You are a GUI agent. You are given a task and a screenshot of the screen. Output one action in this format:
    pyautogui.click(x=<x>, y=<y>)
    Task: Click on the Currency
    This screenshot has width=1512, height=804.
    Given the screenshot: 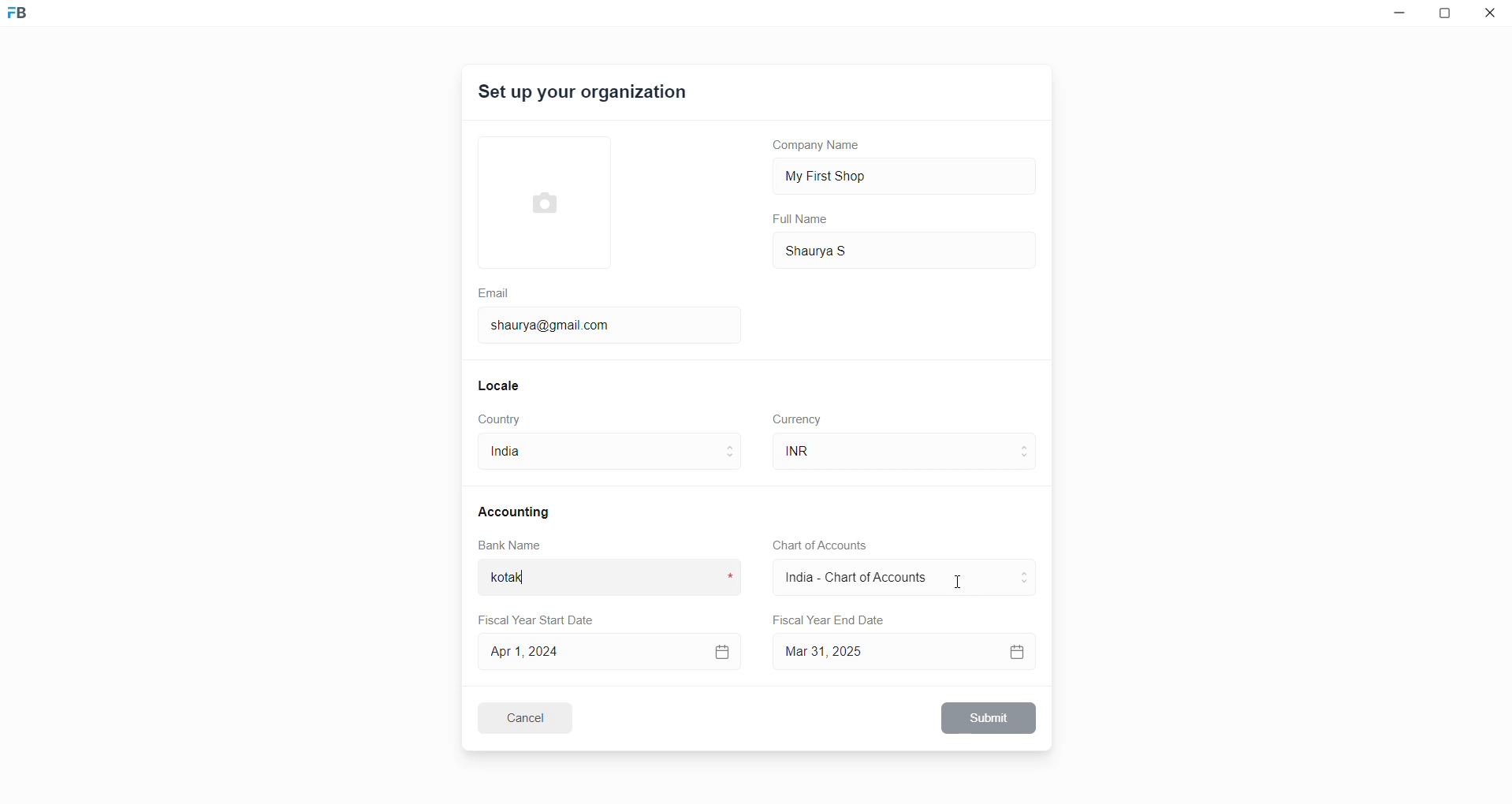 What is the action you would take?
    pyautogui.click(x=799, y=418)
    